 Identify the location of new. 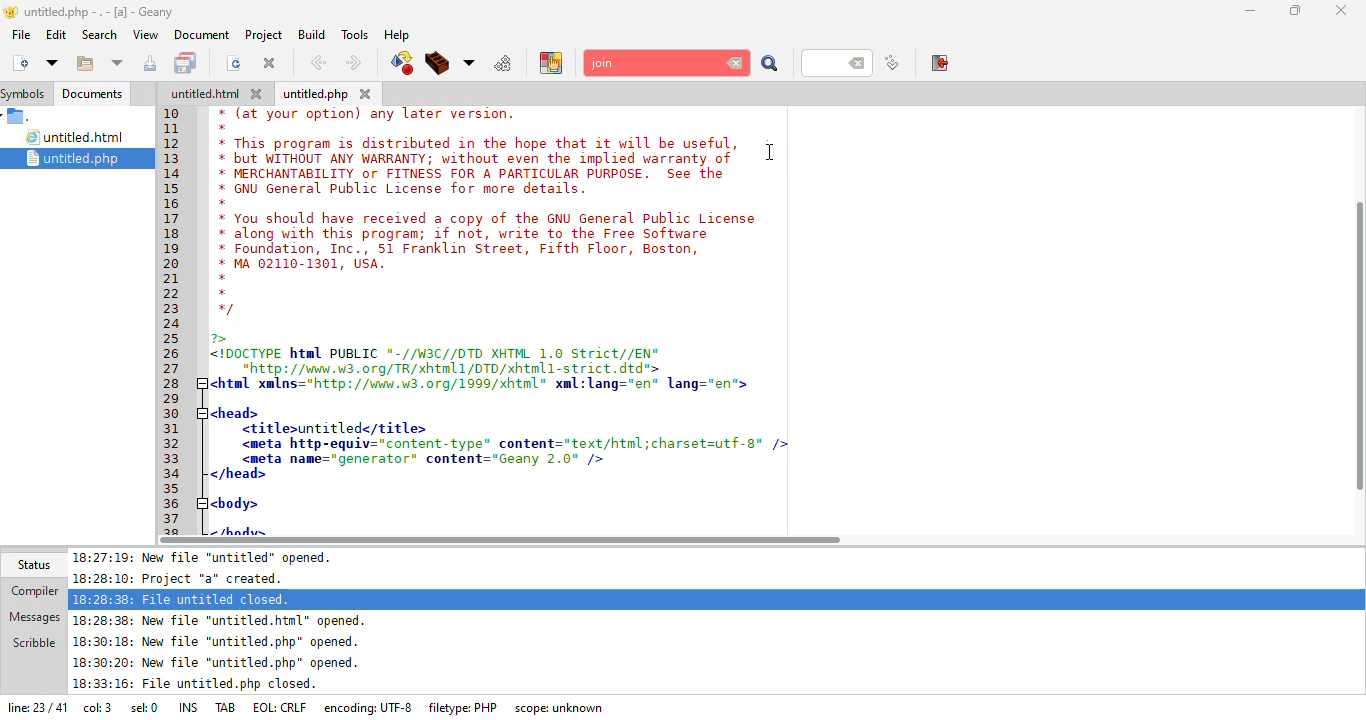
(19, 62).